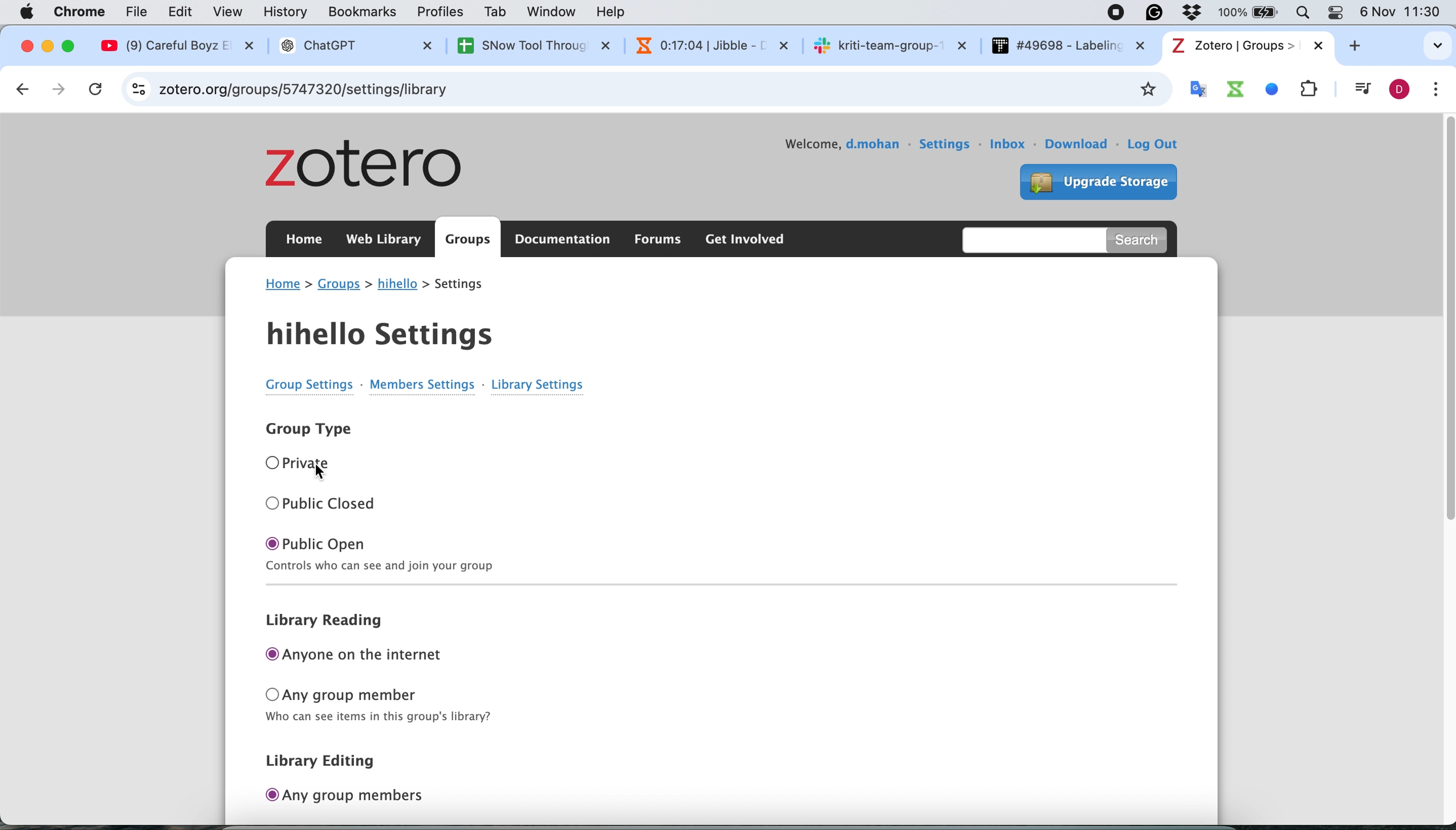 The width and height of the screenshot is (1456, 830). Describe the element at coordinates (554, 13) in the screenshot. I see `window` at that location.